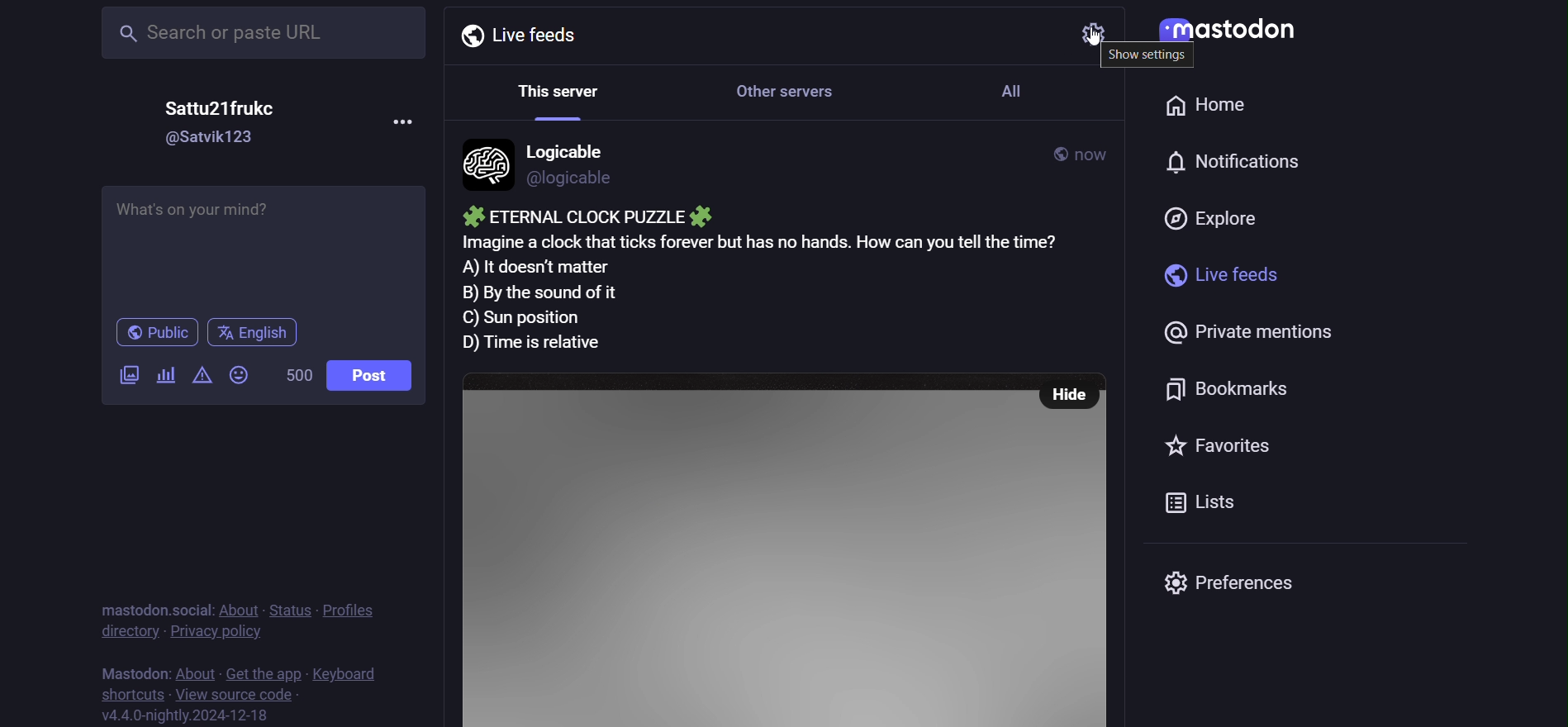  Describe the element at coordinates (222, 108) in the screenshot. I see `Sattu21frukc` at that location.